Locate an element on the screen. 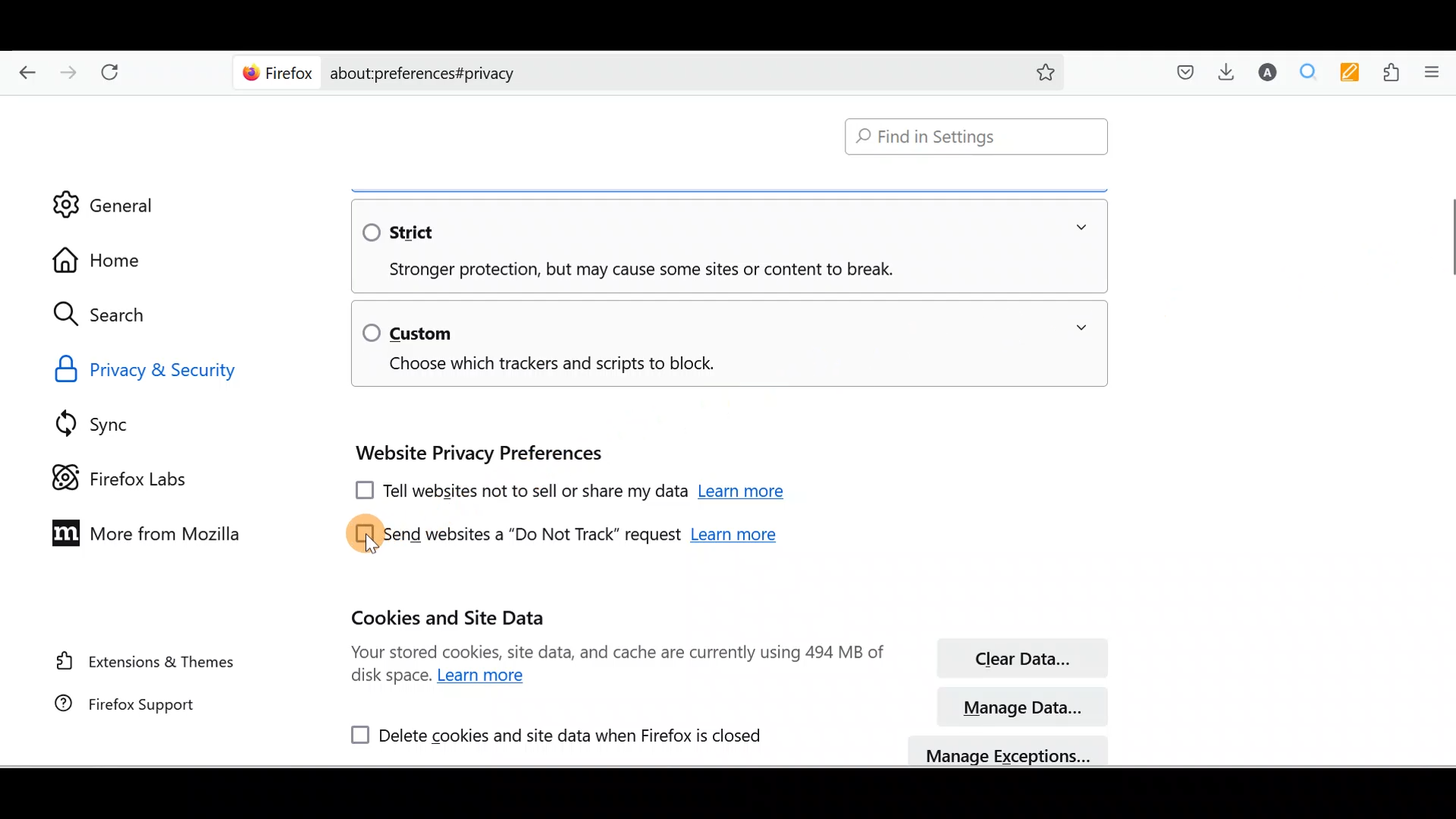 This screenshot has height=819, width=1456. Your stored cookies, site data, and cache are currently using 494 MB of is located at coordinates (617, 651).